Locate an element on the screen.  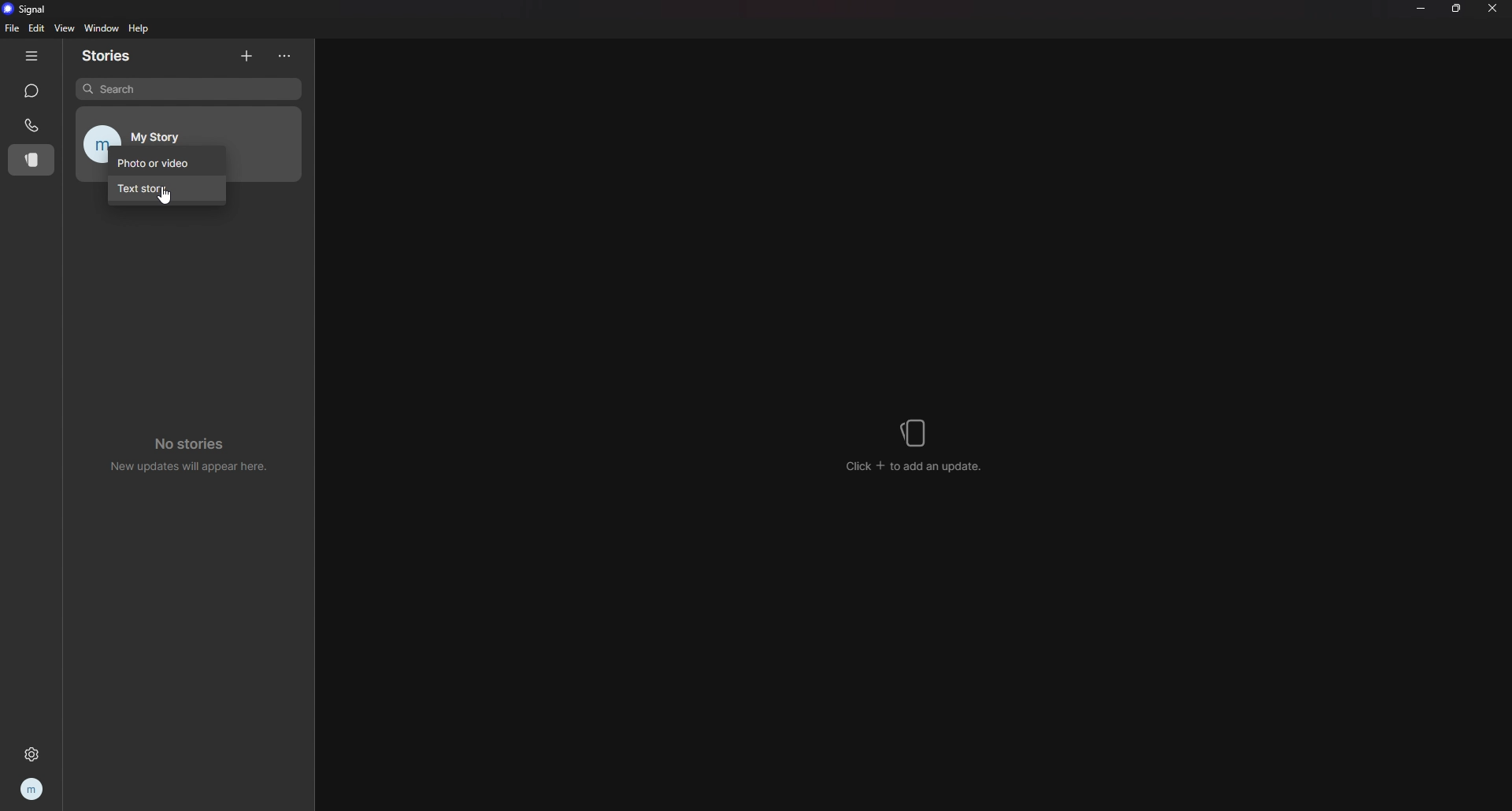
settings is located at coordinates (34, 751).